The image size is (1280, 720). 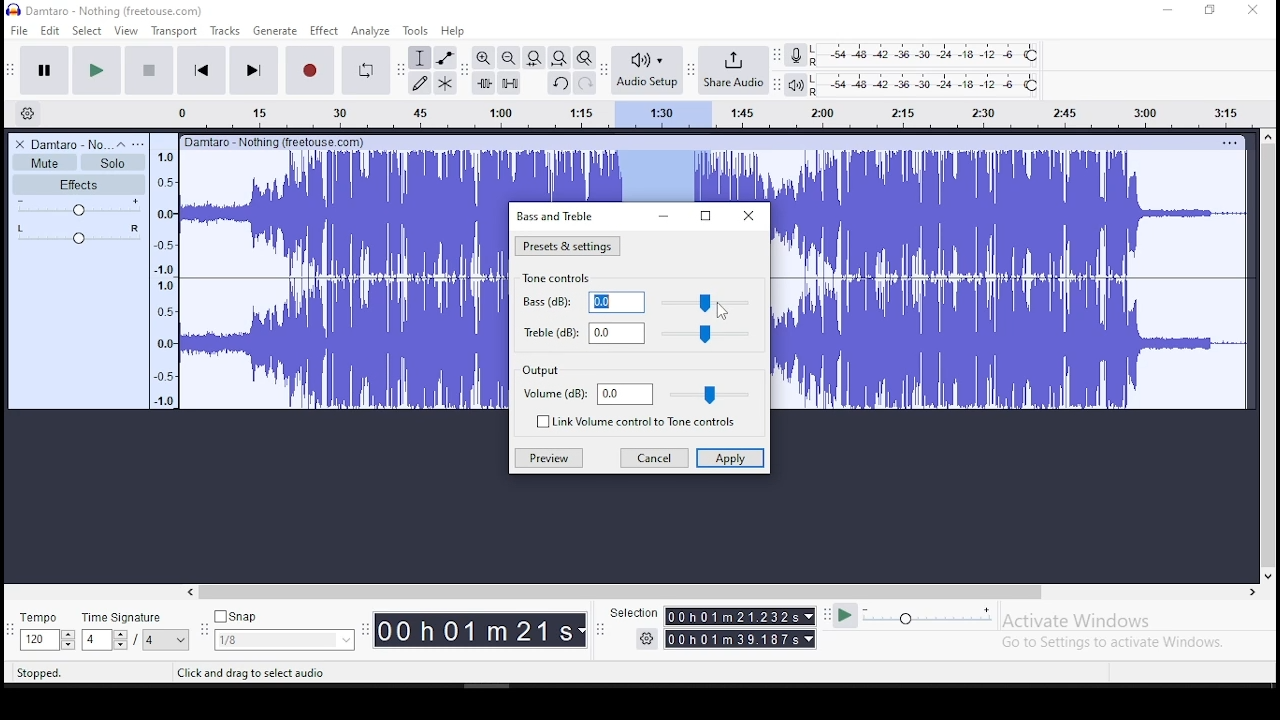 I want to click on Selection, so click(x=632, y=613).